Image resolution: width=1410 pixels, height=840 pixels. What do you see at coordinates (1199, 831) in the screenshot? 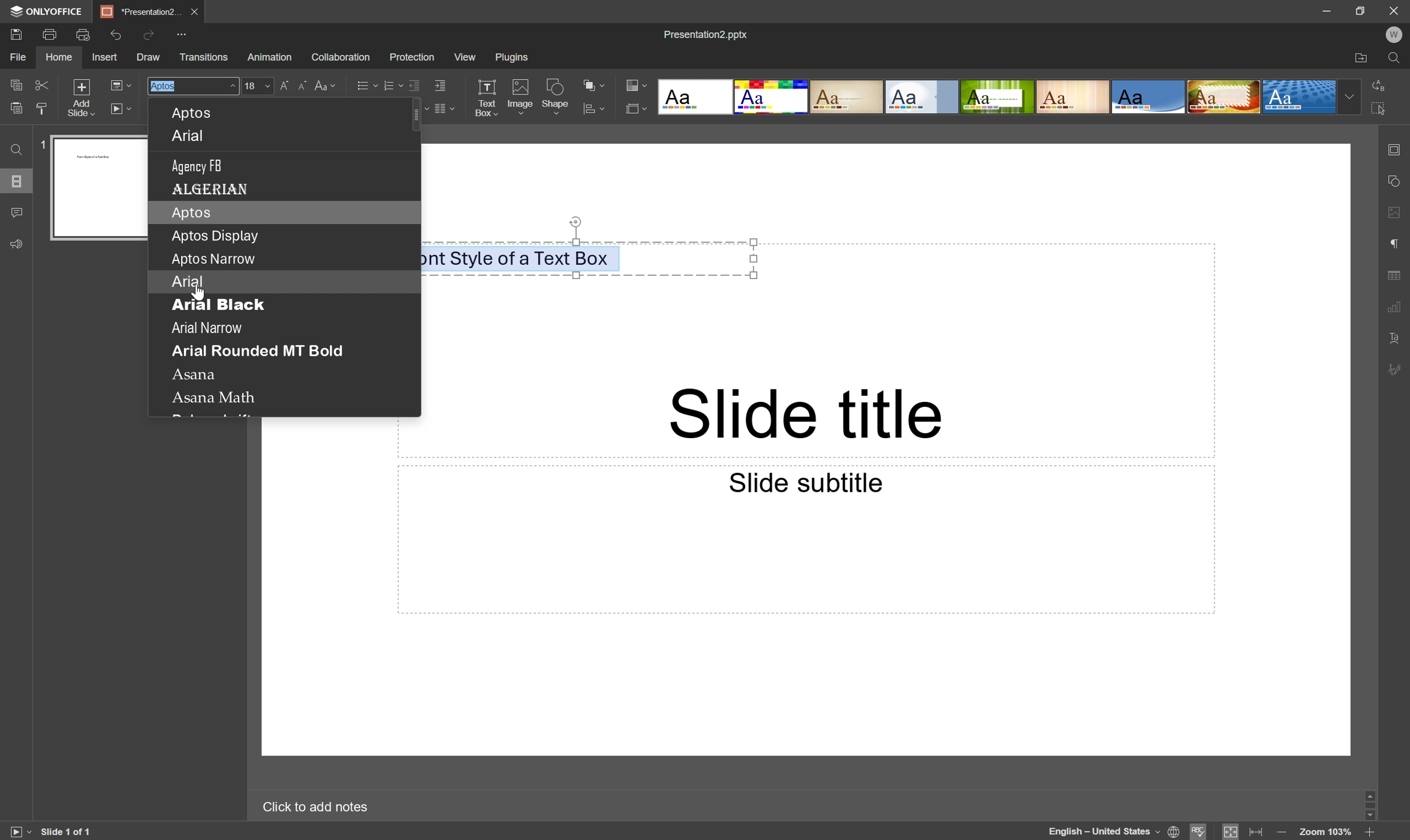
I see `Spell Checking` at bounding box center [1199, 831].